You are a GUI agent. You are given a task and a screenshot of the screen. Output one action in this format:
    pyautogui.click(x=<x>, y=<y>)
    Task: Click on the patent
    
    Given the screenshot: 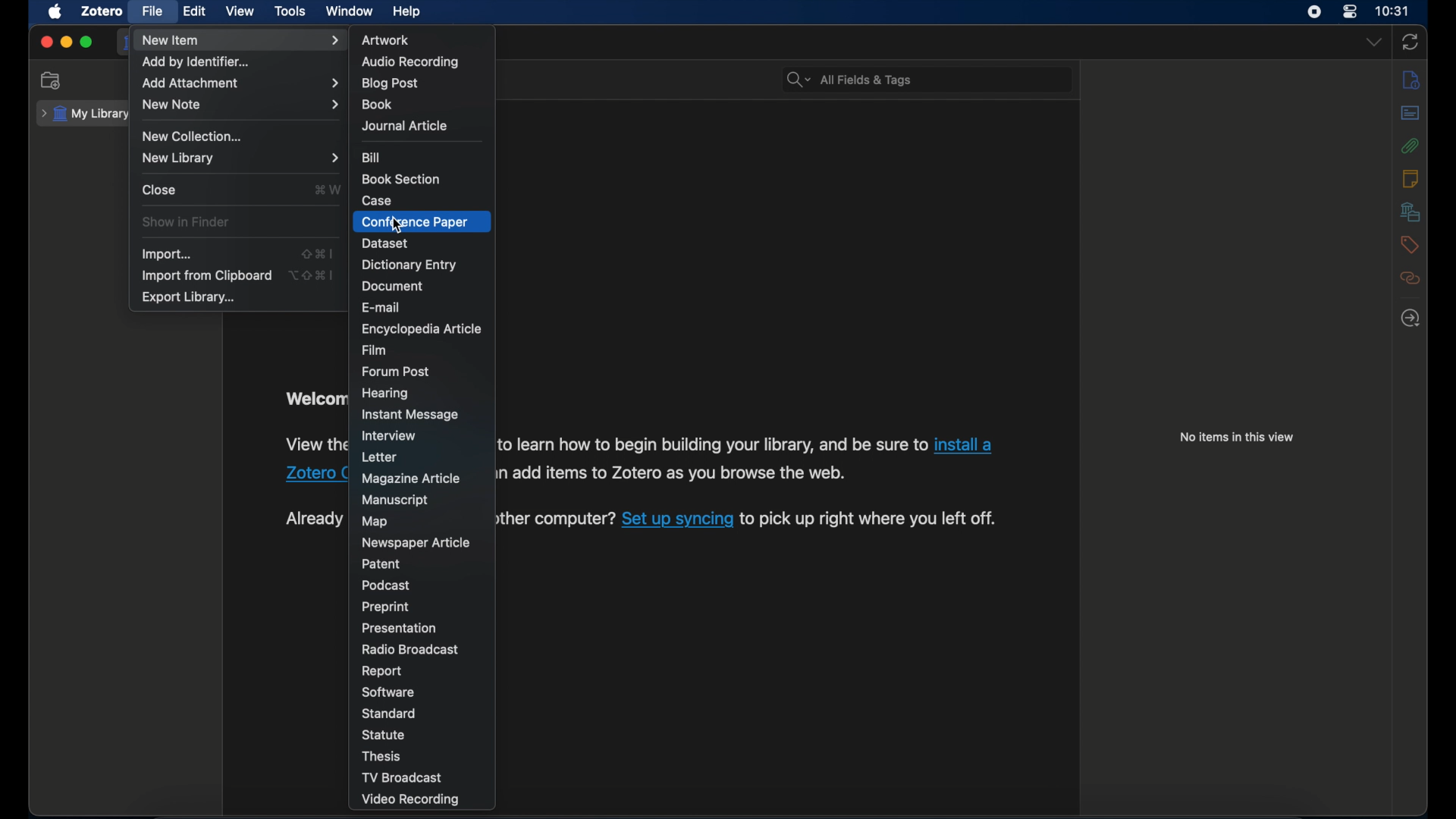 What is the action you would take?
    pyautogui.click(x=381, y=563)
    